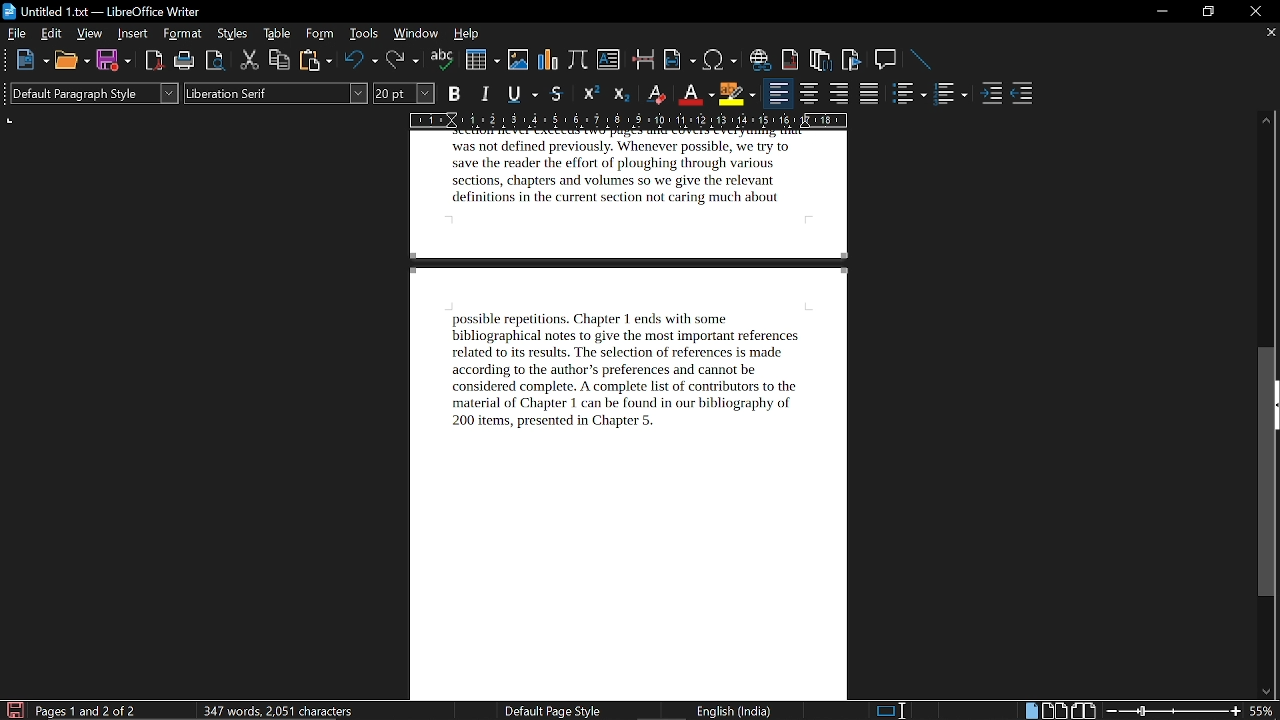 Image resolution: width=1280 pixels, height=720 pixels. Describe the element at coordinates (910, 95) in the screenshot. I see `toggle ordered list` at that location.